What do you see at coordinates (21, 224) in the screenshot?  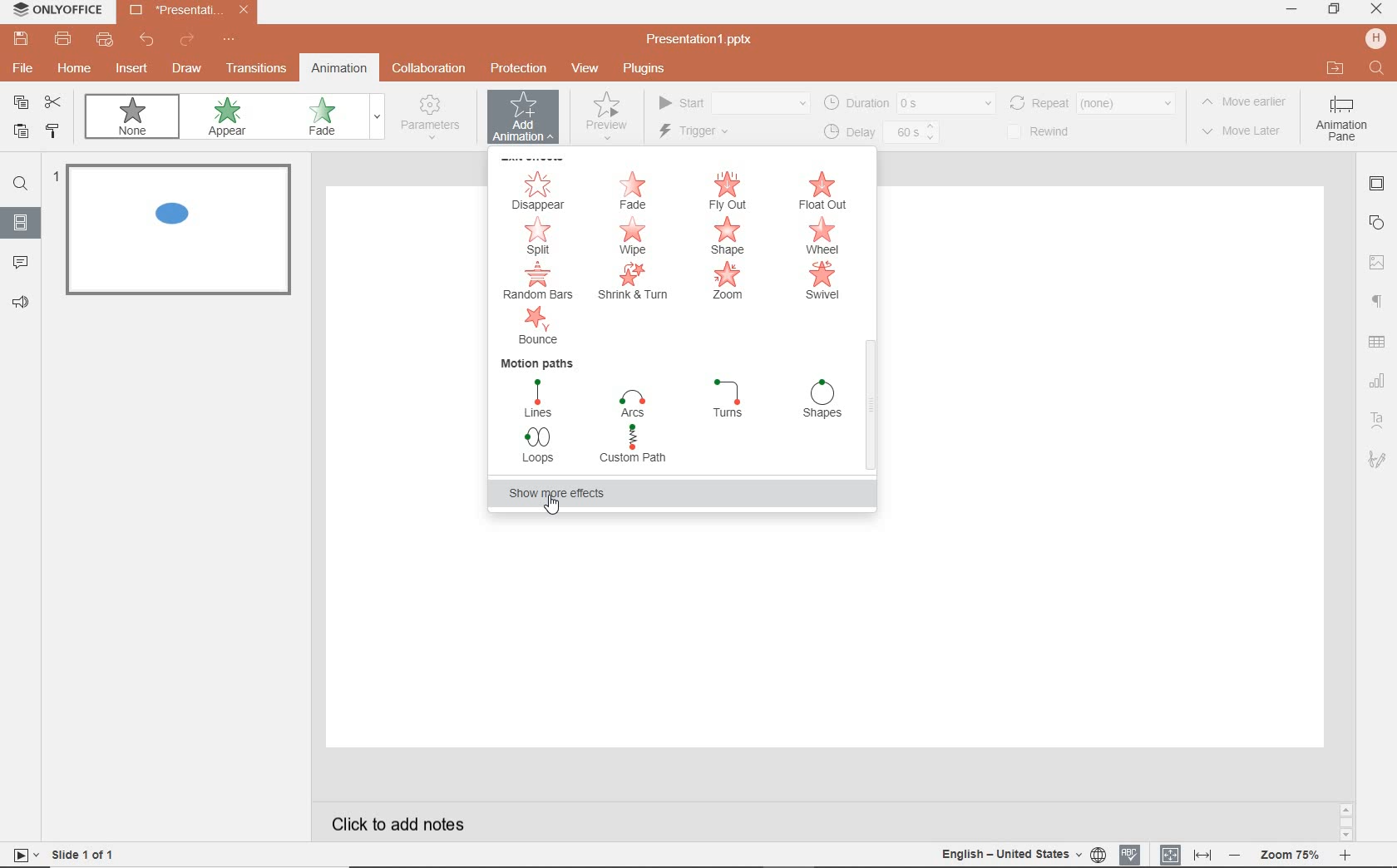 I see `slide` at bounding box center [21, 224].